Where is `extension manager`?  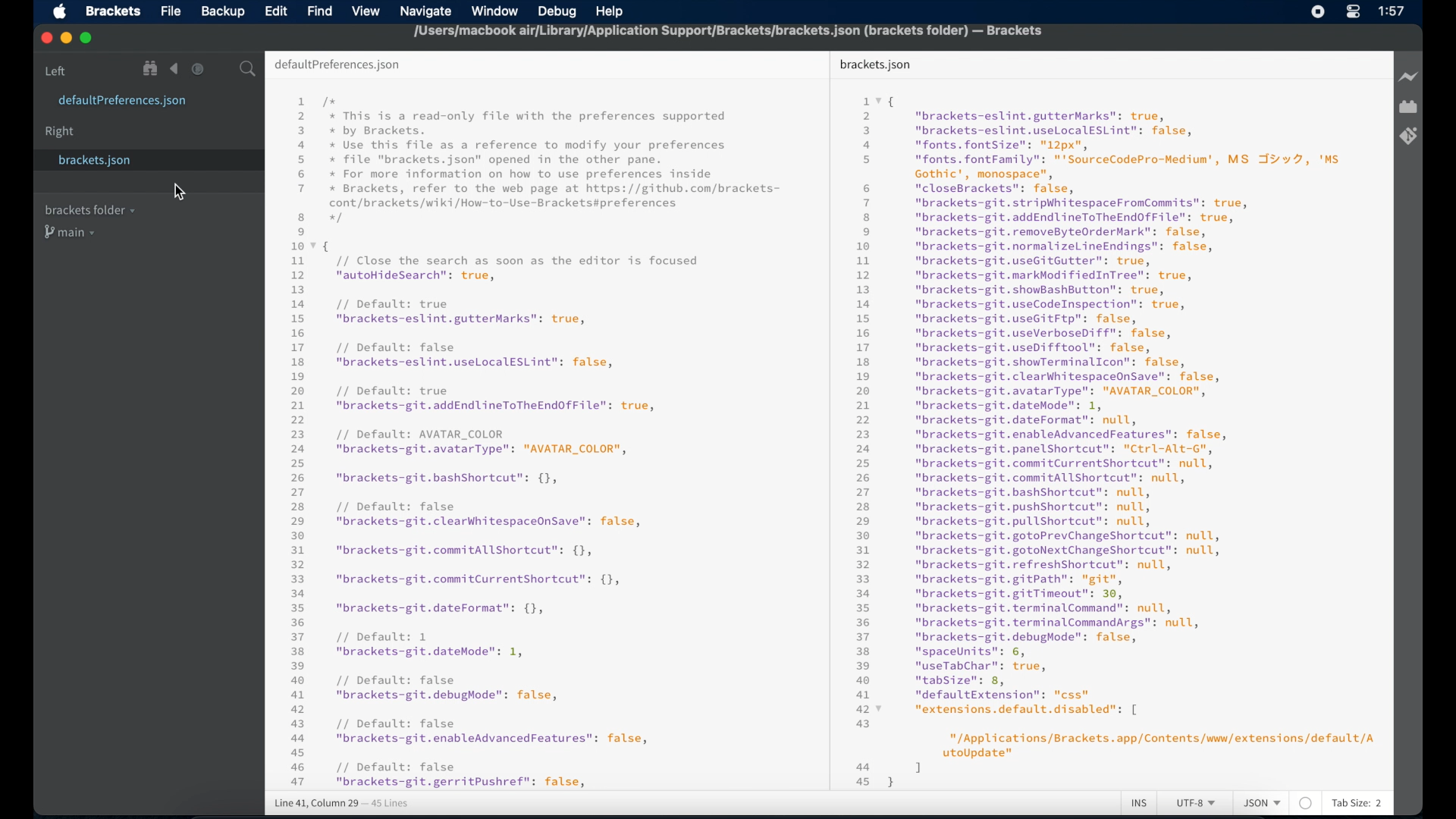 extension manager is located at coordinates (1408, 108).